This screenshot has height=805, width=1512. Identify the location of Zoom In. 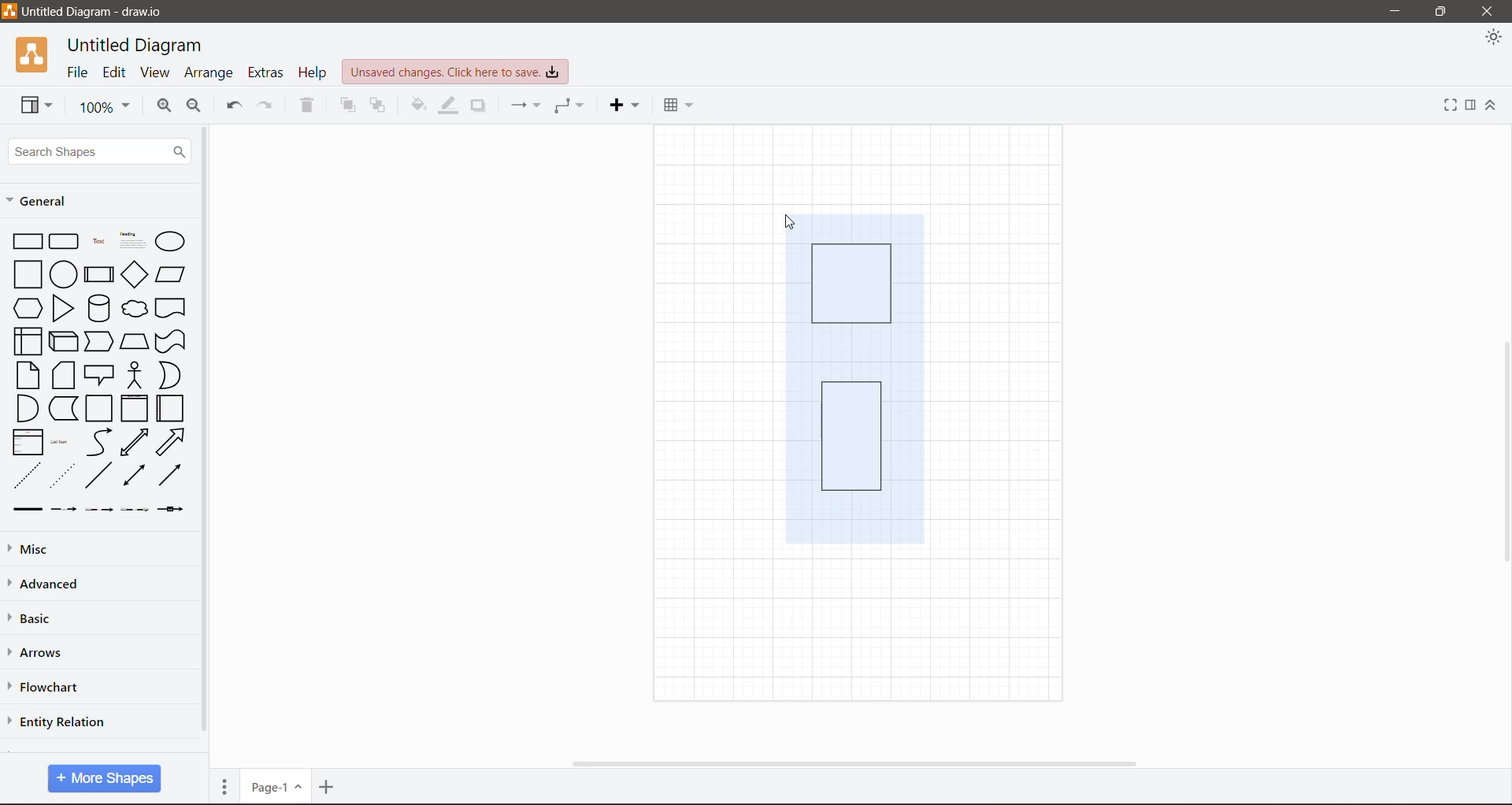
(164, 108).